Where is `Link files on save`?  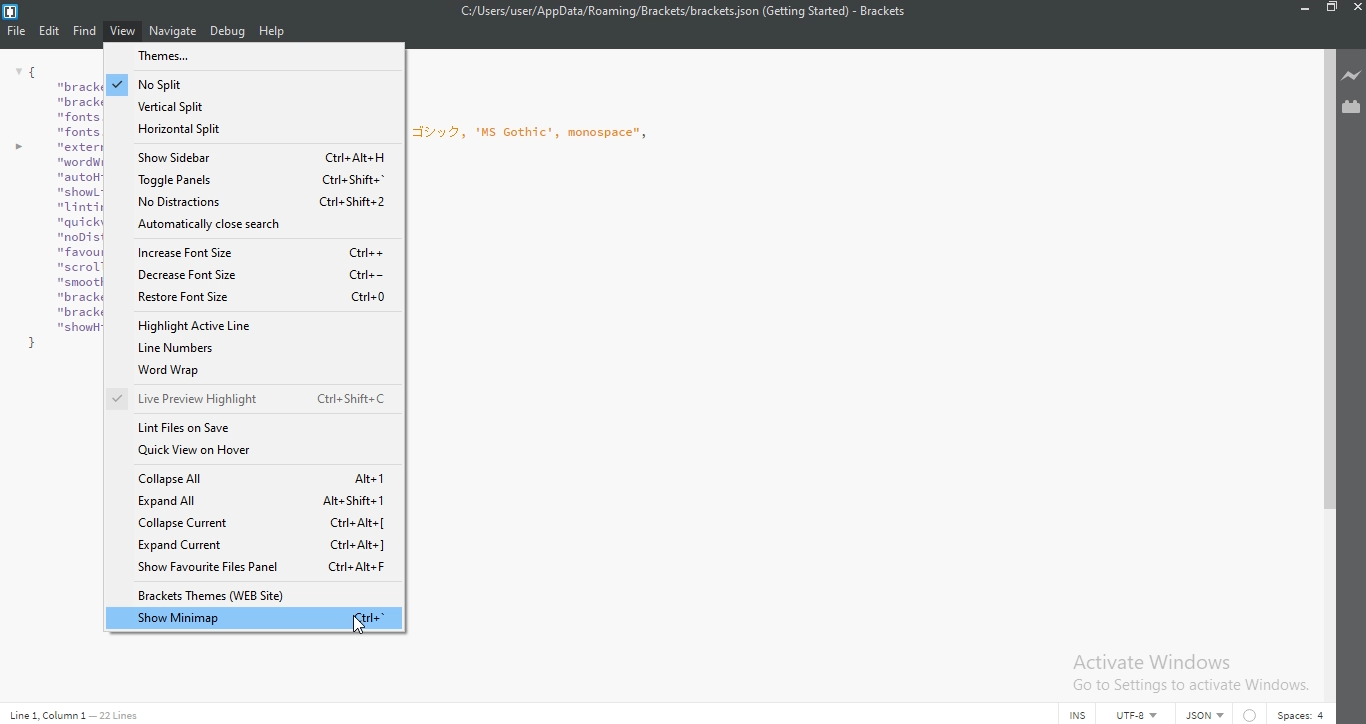
Link files on save is located at coordinates (250, 427).